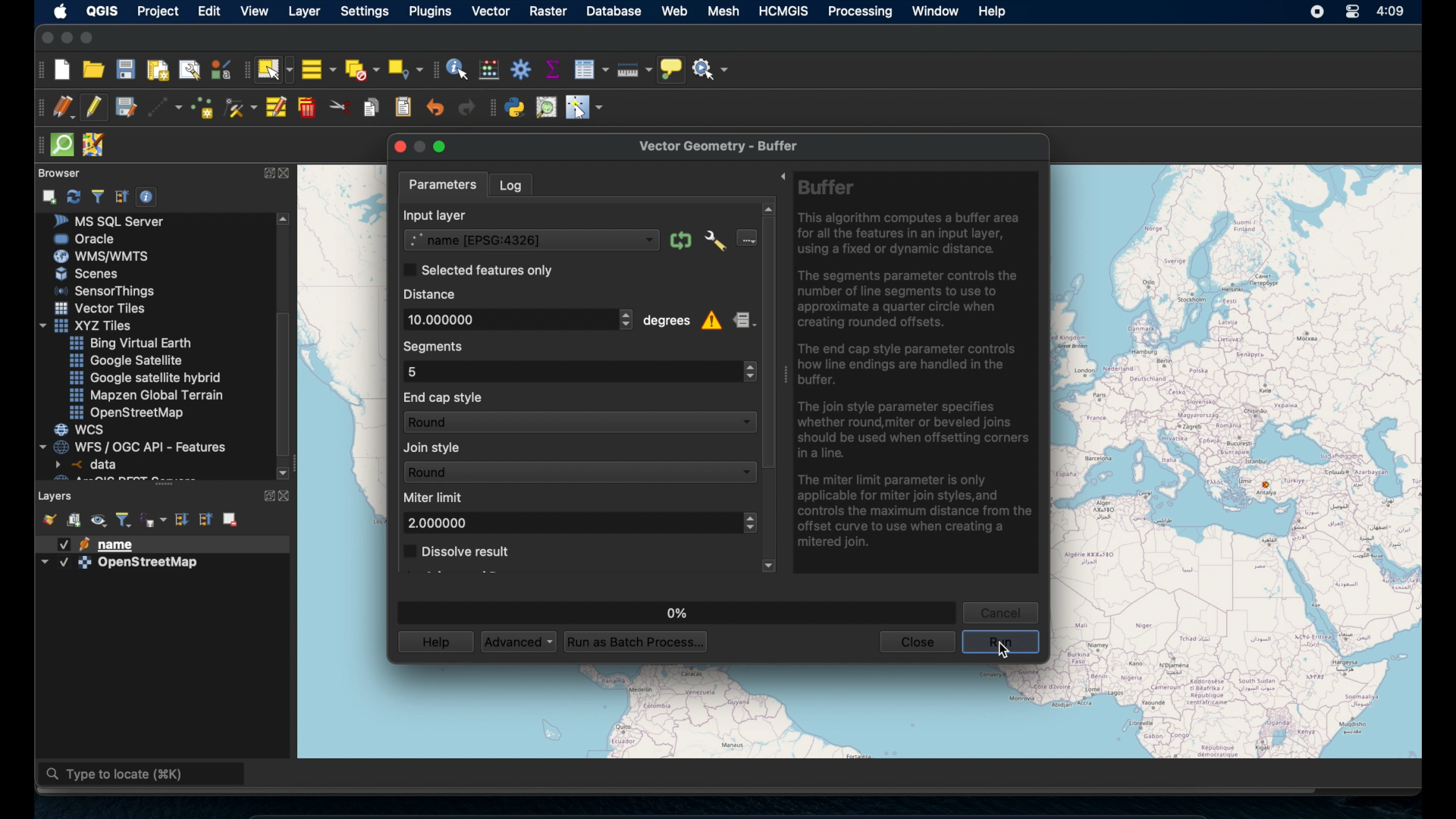 The height and width of the screenshot is (819, 1456). Describe the element at coordinates (444, 397) in the screenshot. I see `end cap style` at that location.